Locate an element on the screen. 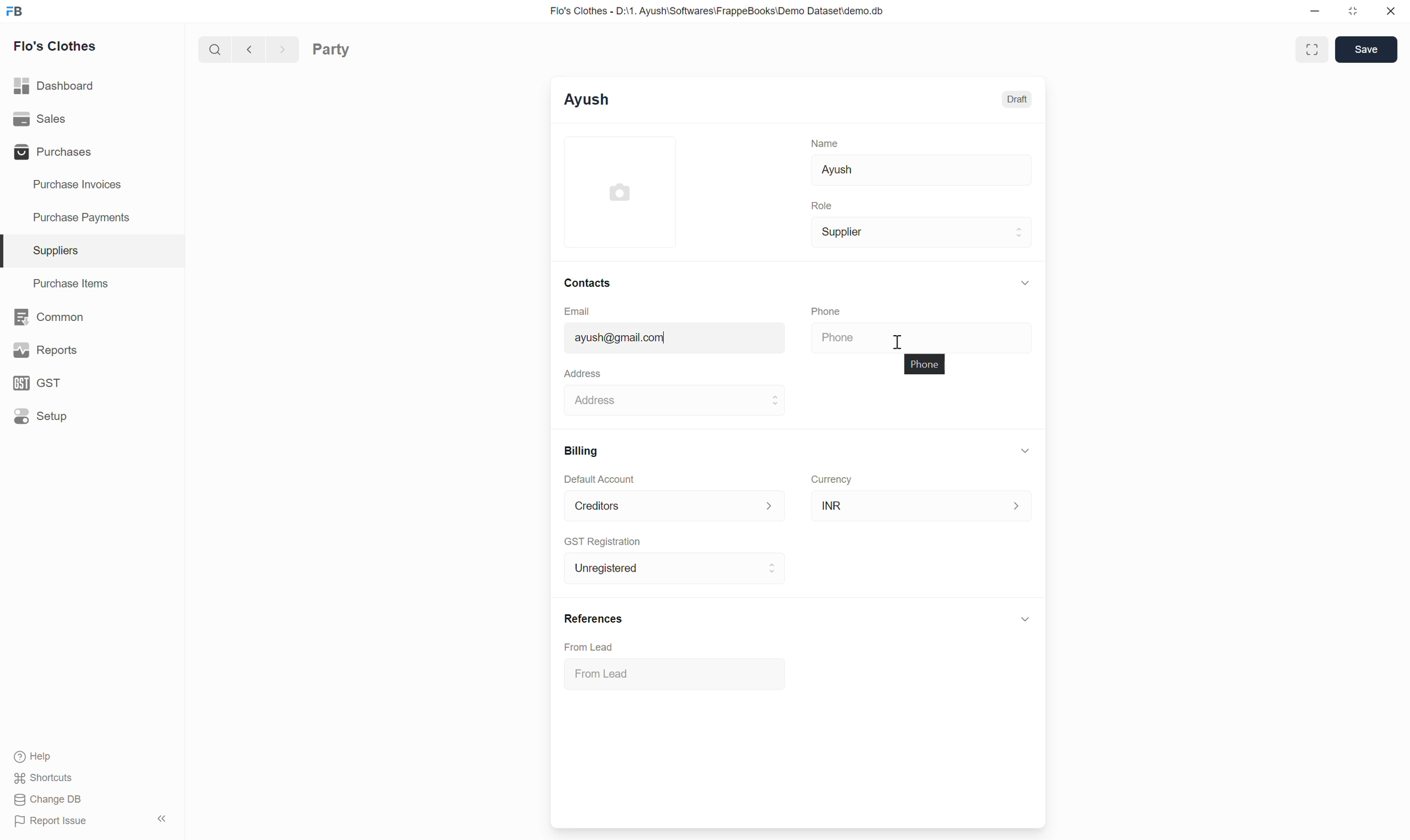 This screenshot has height=840, width=1410. Change DB is located at coordinates (50, 799).